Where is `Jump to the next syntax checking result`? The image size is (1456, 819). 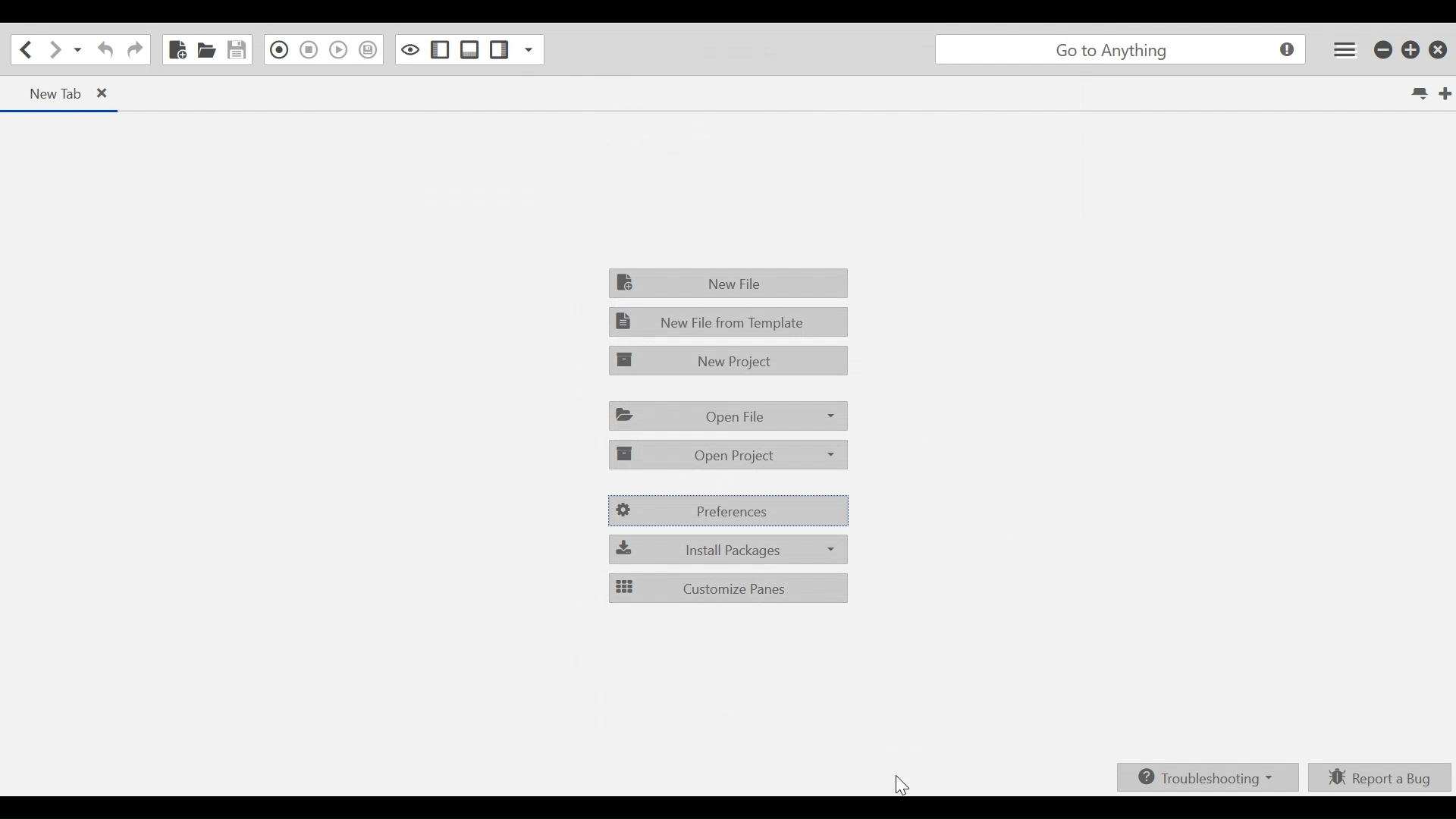 Jump to the next syntax checking result is located at coordinates (368, 50).